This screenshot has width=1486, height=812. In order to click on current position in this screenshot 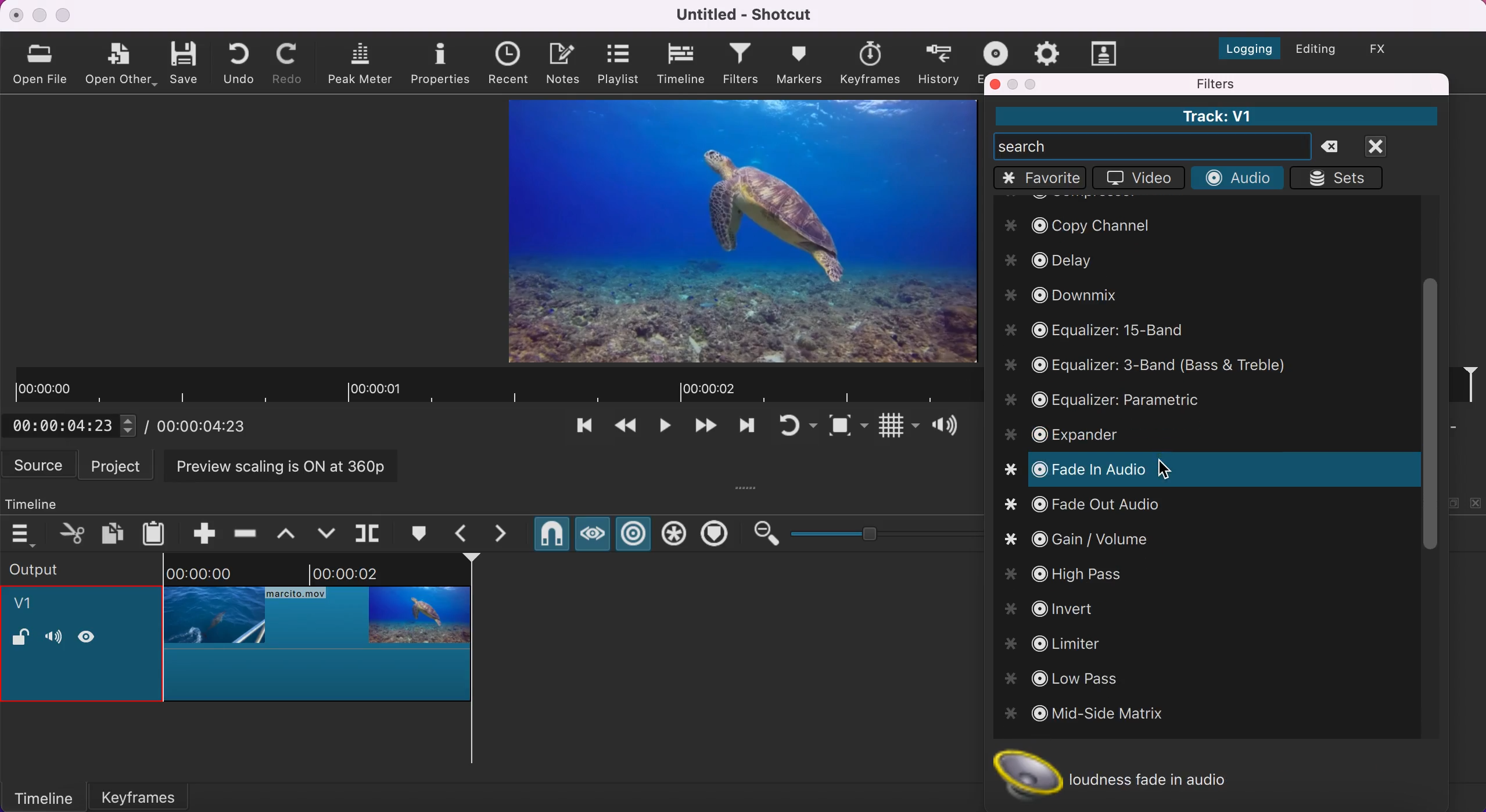, I will do `click(75, 425)`.